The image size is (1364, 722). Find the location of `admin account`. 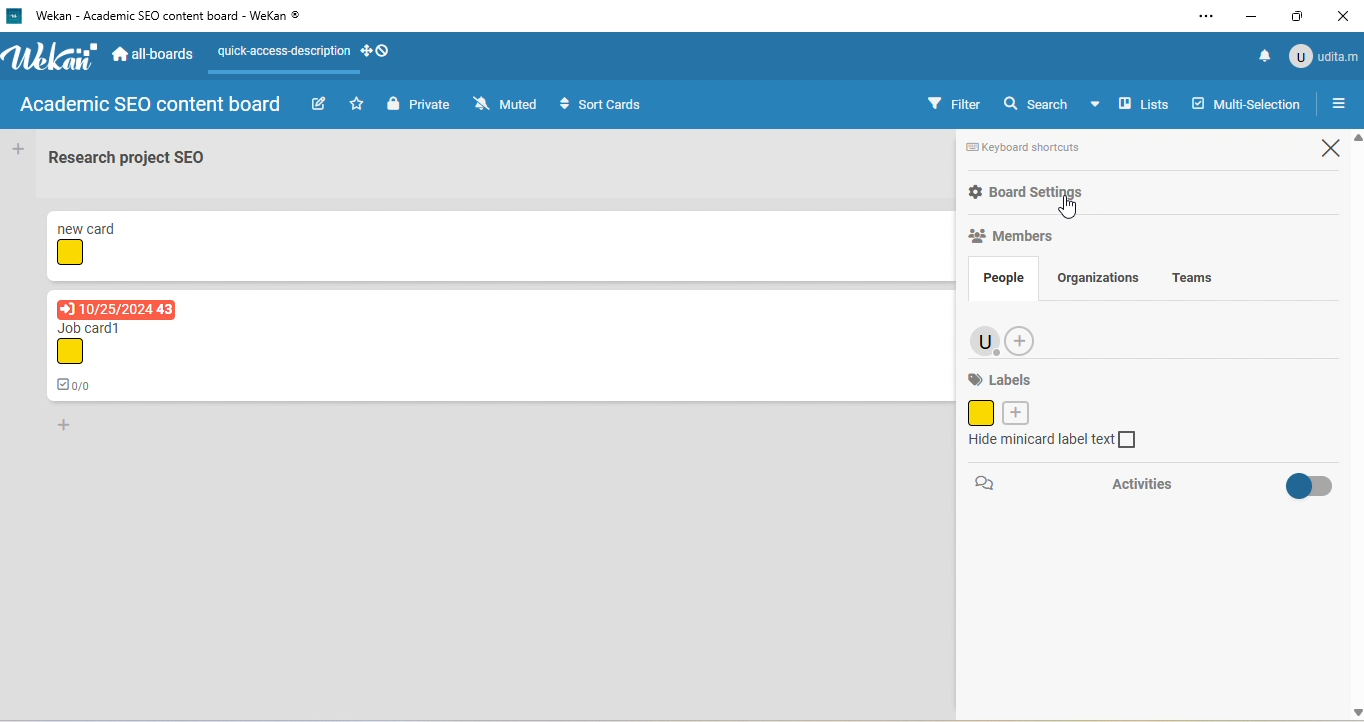

admin account is located at coordinates (985, 342).